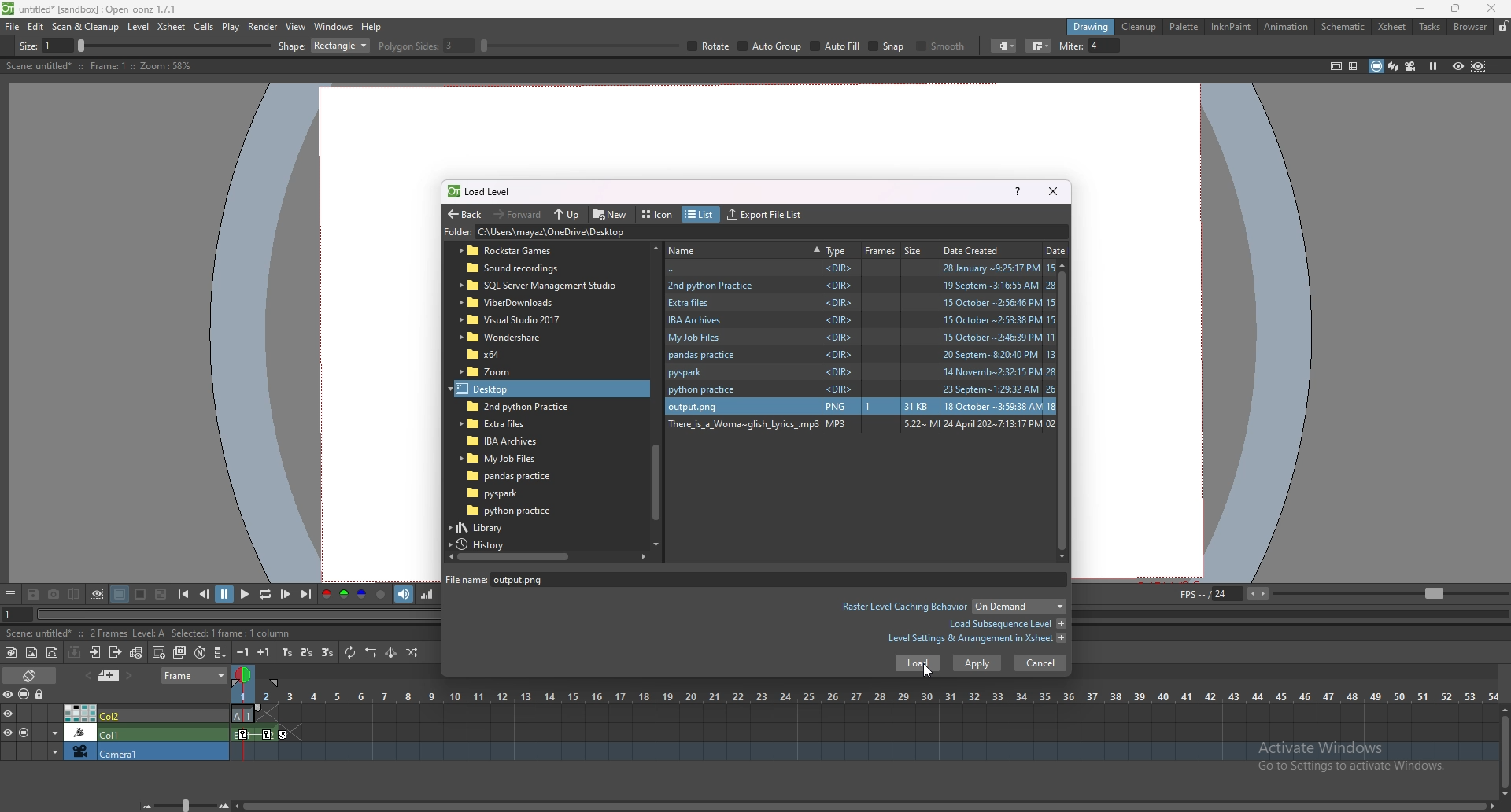 Image resolution: width=1511 pixels, height=812 pixels. I want to click on tasks, so click(1429, 28).